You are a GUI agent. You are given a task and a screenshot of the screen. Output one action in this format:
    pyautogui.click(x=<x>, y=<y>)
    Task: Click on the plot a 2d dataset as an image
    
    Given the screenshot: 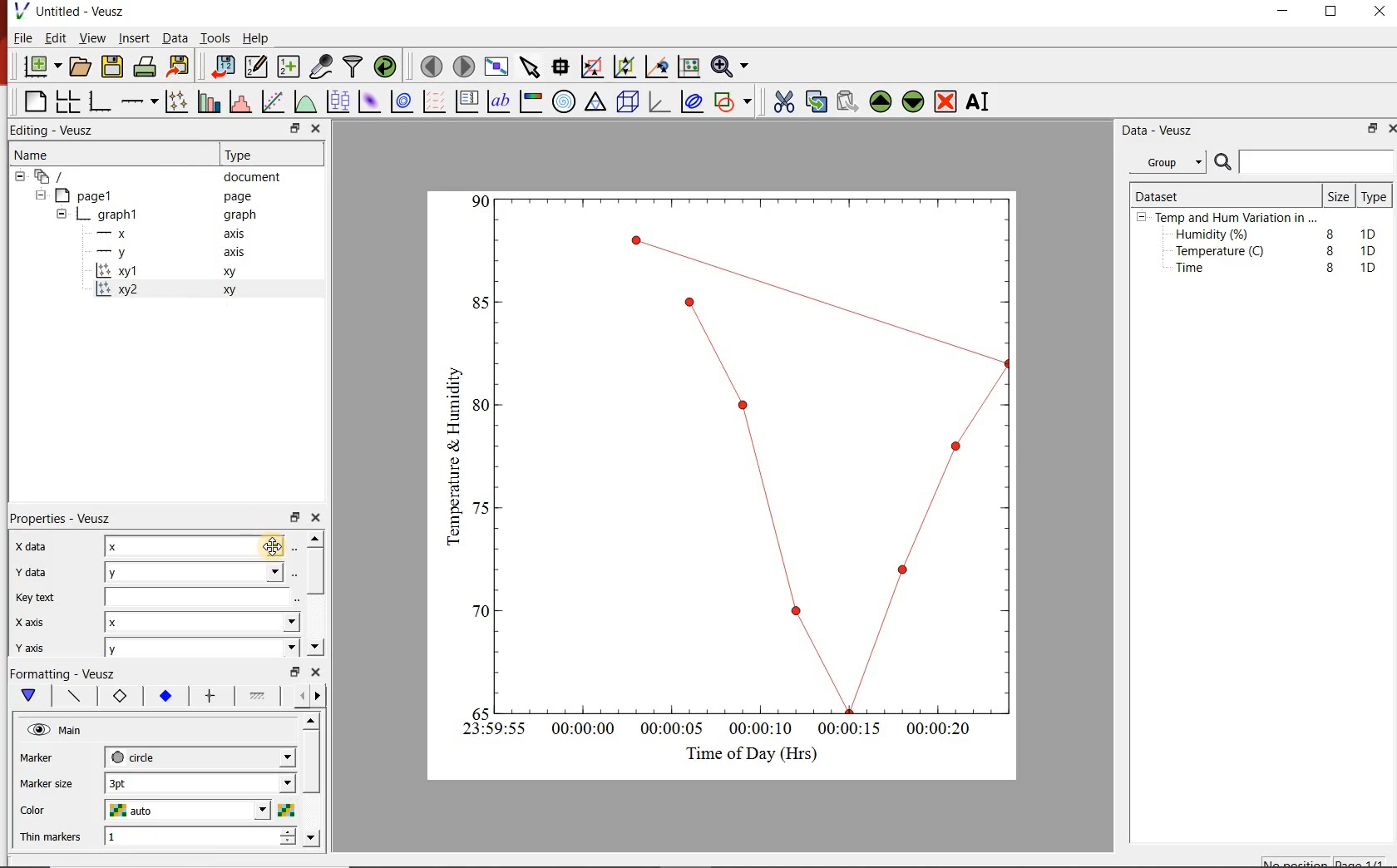 What is the action you would take?
    pyautogui.click(x=370, y=102)
    